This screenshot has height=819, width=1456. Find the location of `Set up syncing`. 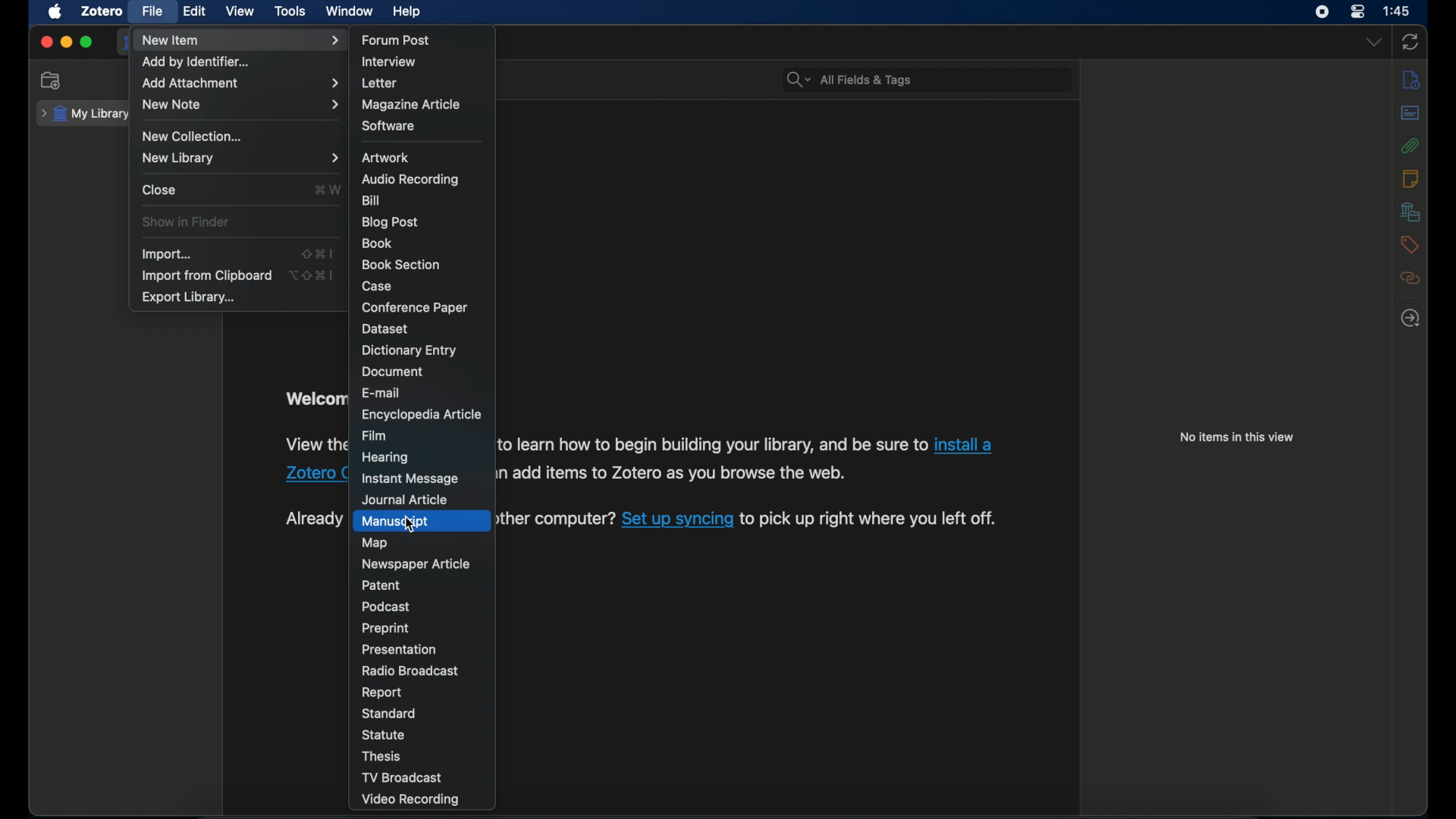

Set up syncing is located at coordinates (678, 518).